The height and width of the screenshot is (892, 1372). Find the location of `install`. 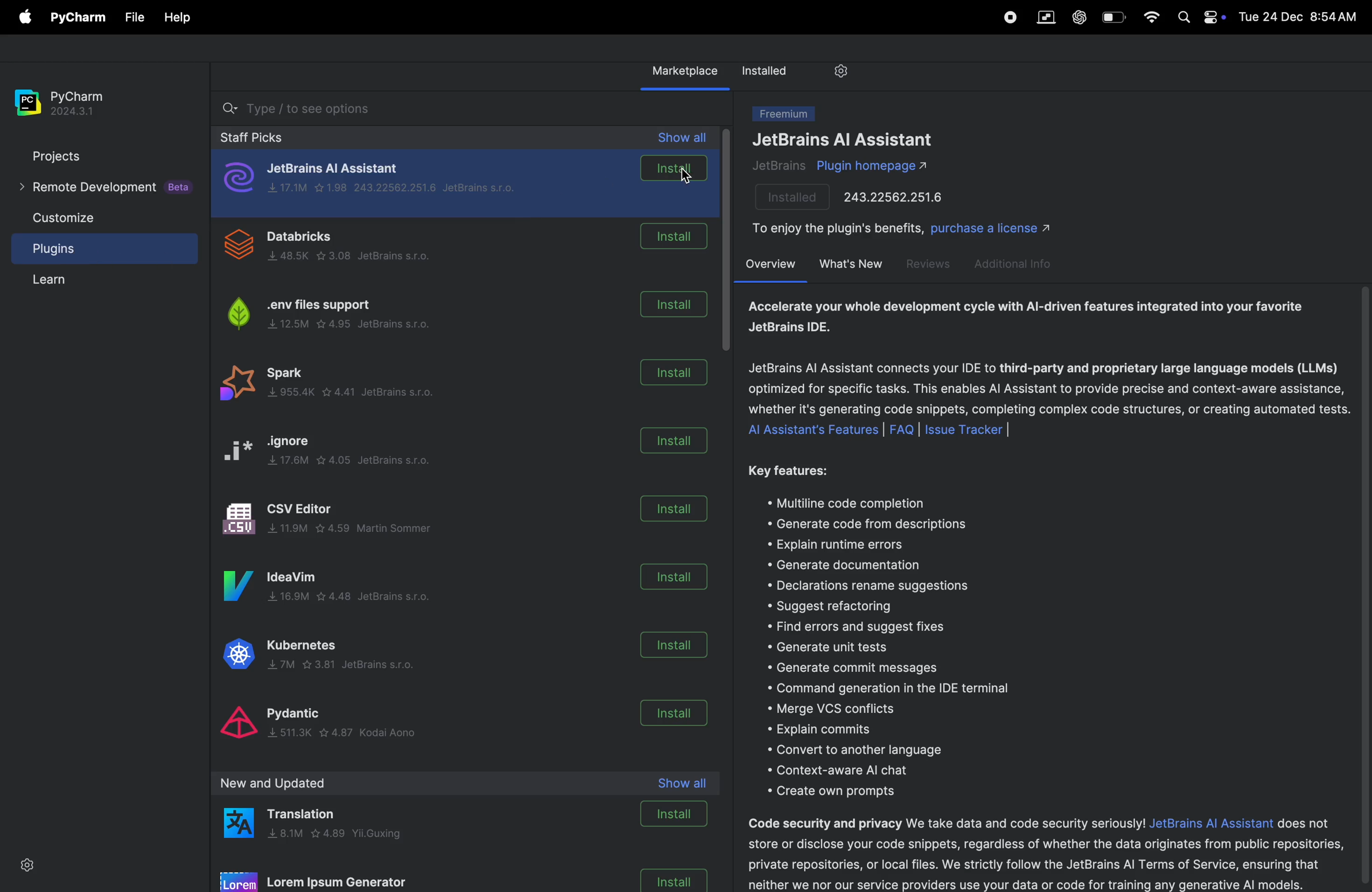

install is located at coordinates (677, 372).